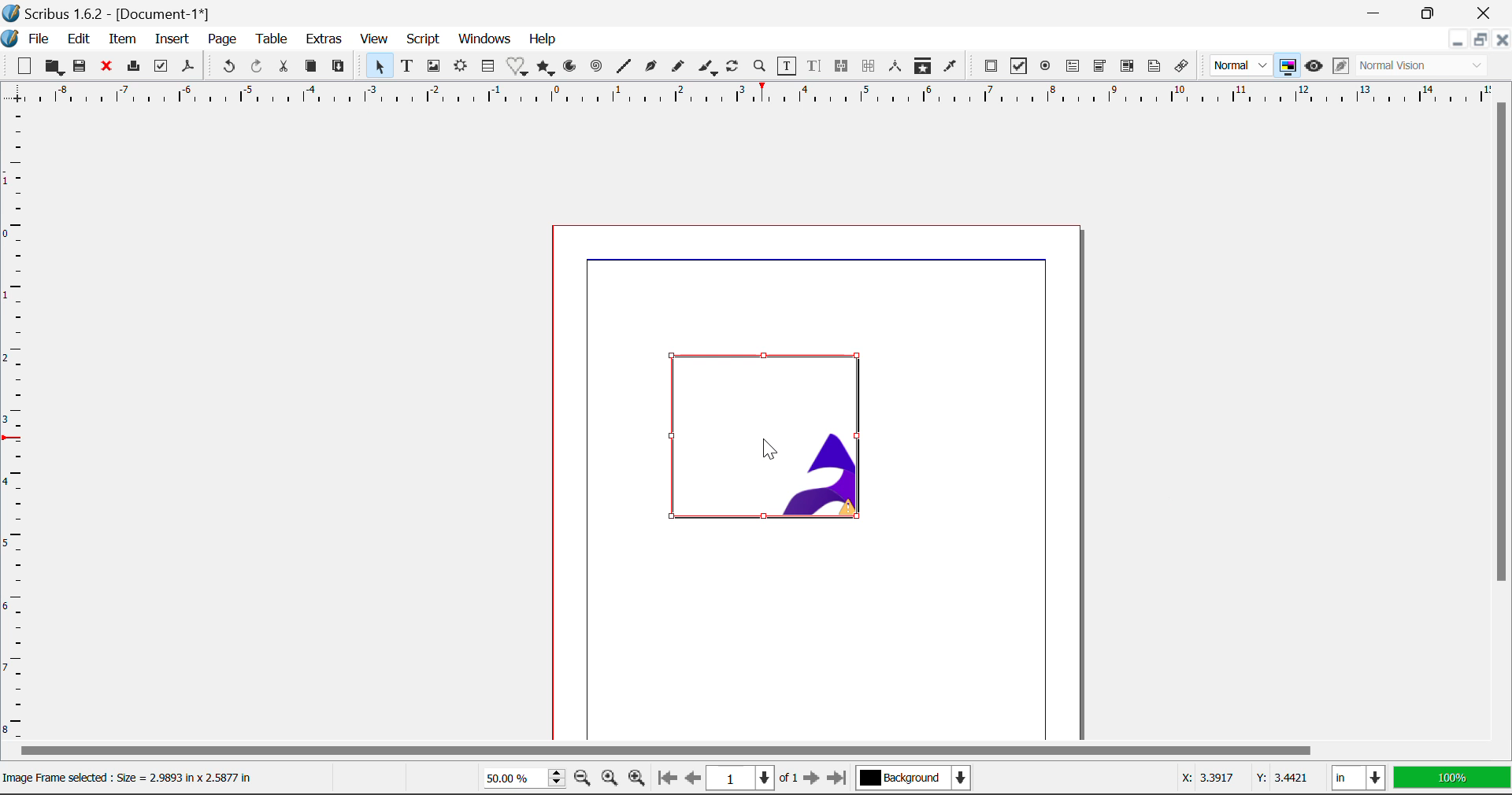  What do you see at coordinates (133, 66) in the screenshot?
I see `Print` at bounding box center [133, 66].